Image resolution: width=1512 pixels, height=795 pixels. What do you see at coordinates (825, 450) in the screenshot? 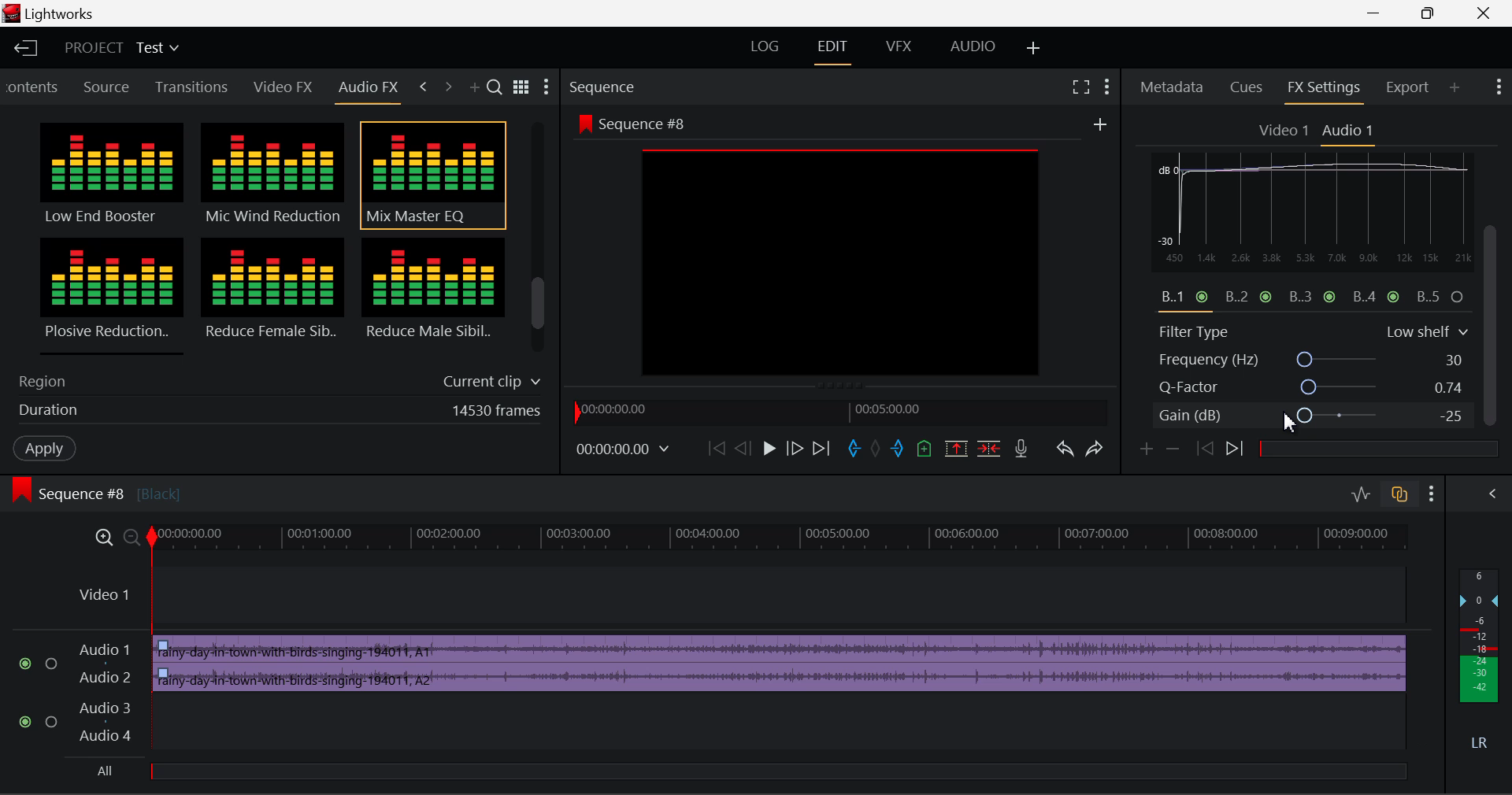
I see `To End` at bounding box center [825, 450].